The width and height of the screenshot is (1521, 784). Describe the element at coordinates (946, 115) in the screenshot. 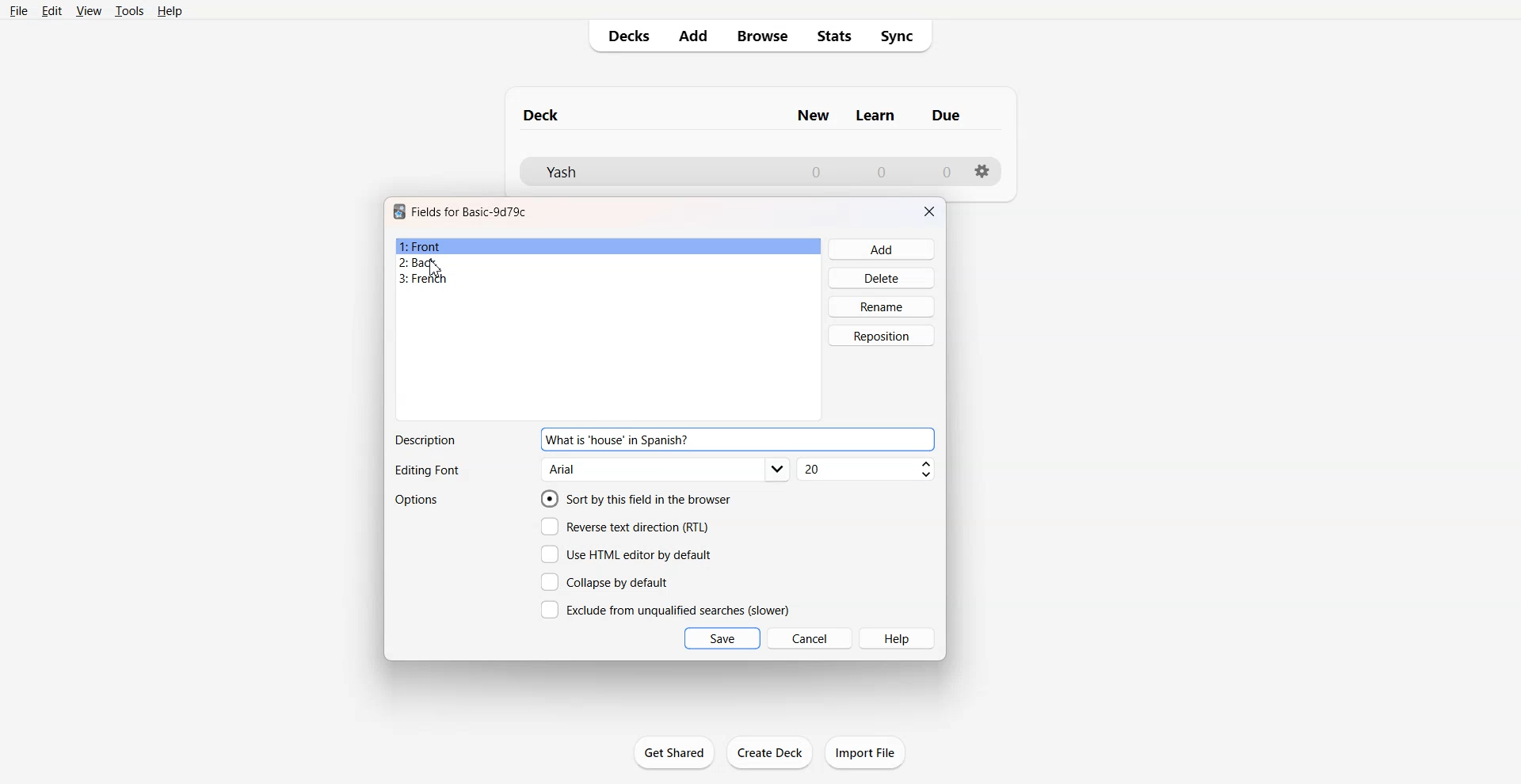

I see `Column name` at that location.